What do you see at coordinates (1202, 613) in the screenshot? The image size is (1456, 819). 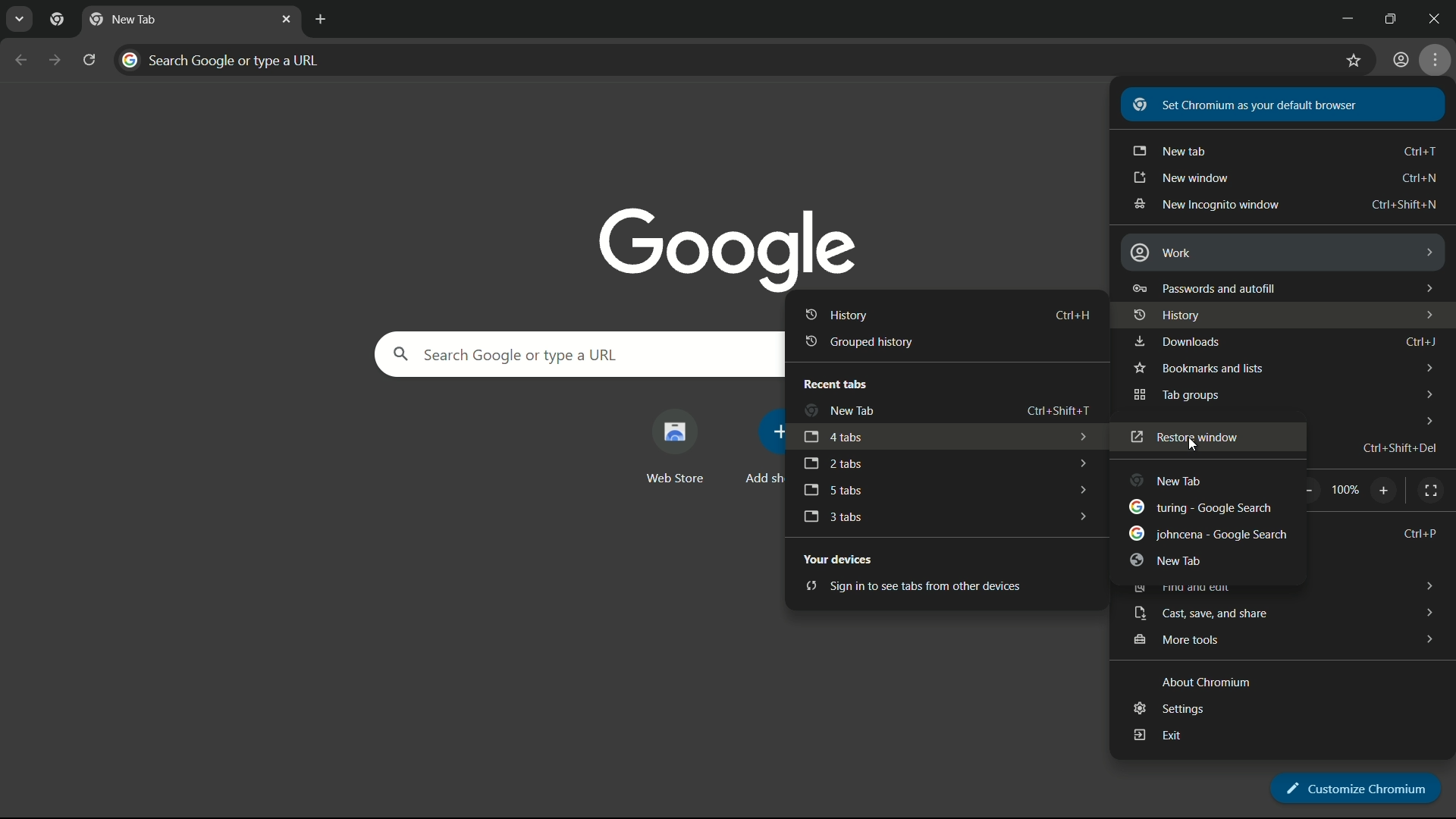 I see `cast save and share` at bounding box center [1202, 613].